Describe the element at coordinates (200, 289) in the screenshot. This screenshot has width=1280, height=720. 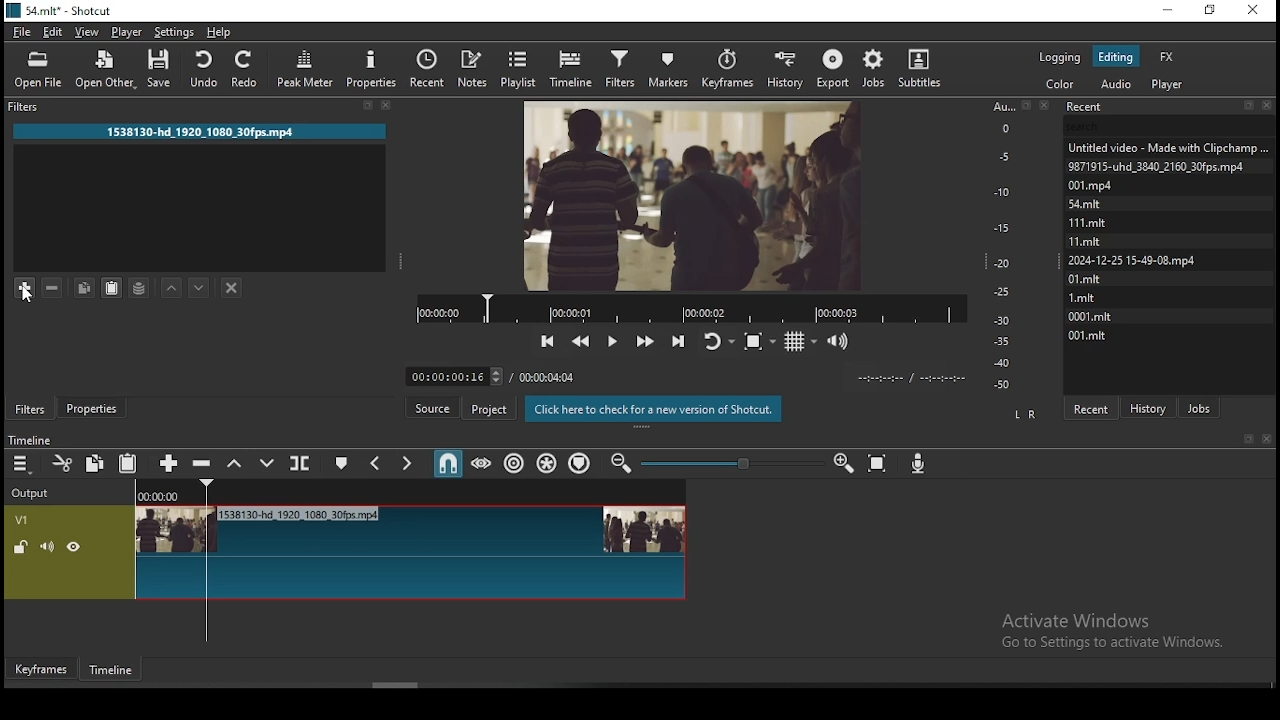
I see `move filter ` at that location.